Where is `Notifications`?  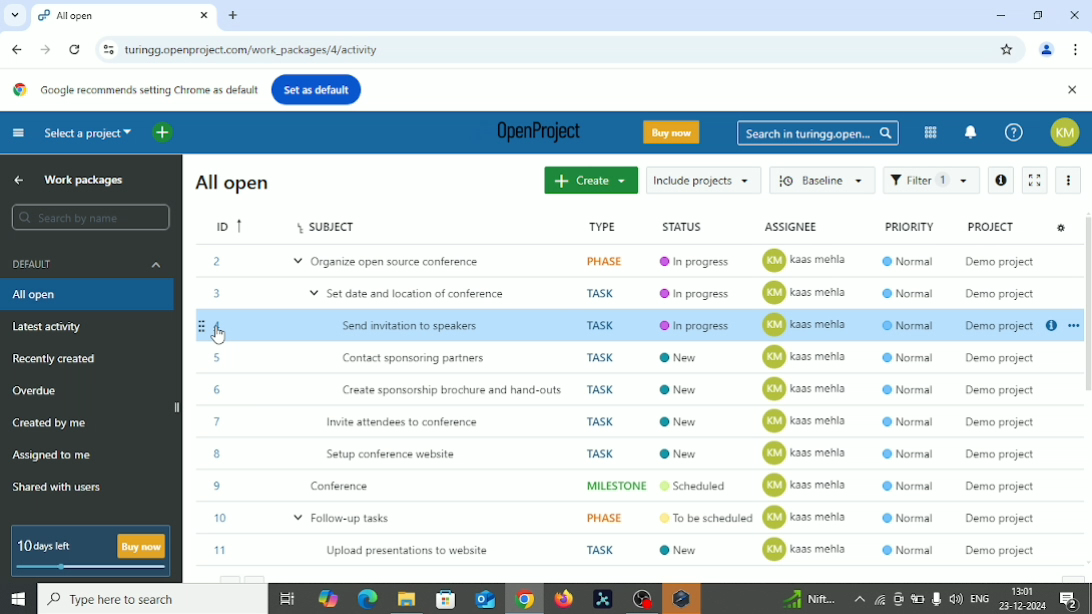
Notifications is located at coordinates (1075, 600).